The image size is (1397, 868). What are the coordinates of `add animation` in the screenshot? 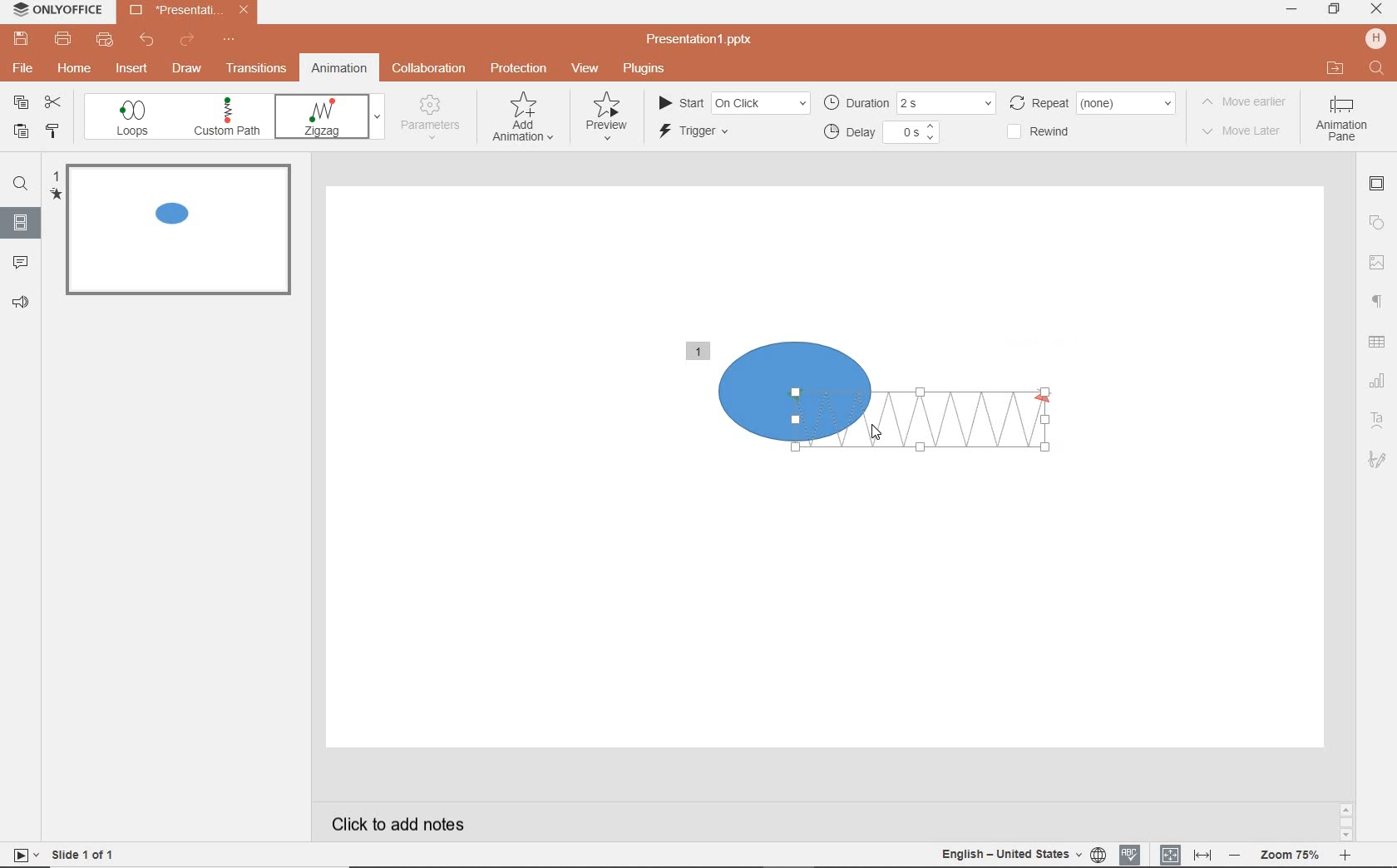 It's located at (522, 121).